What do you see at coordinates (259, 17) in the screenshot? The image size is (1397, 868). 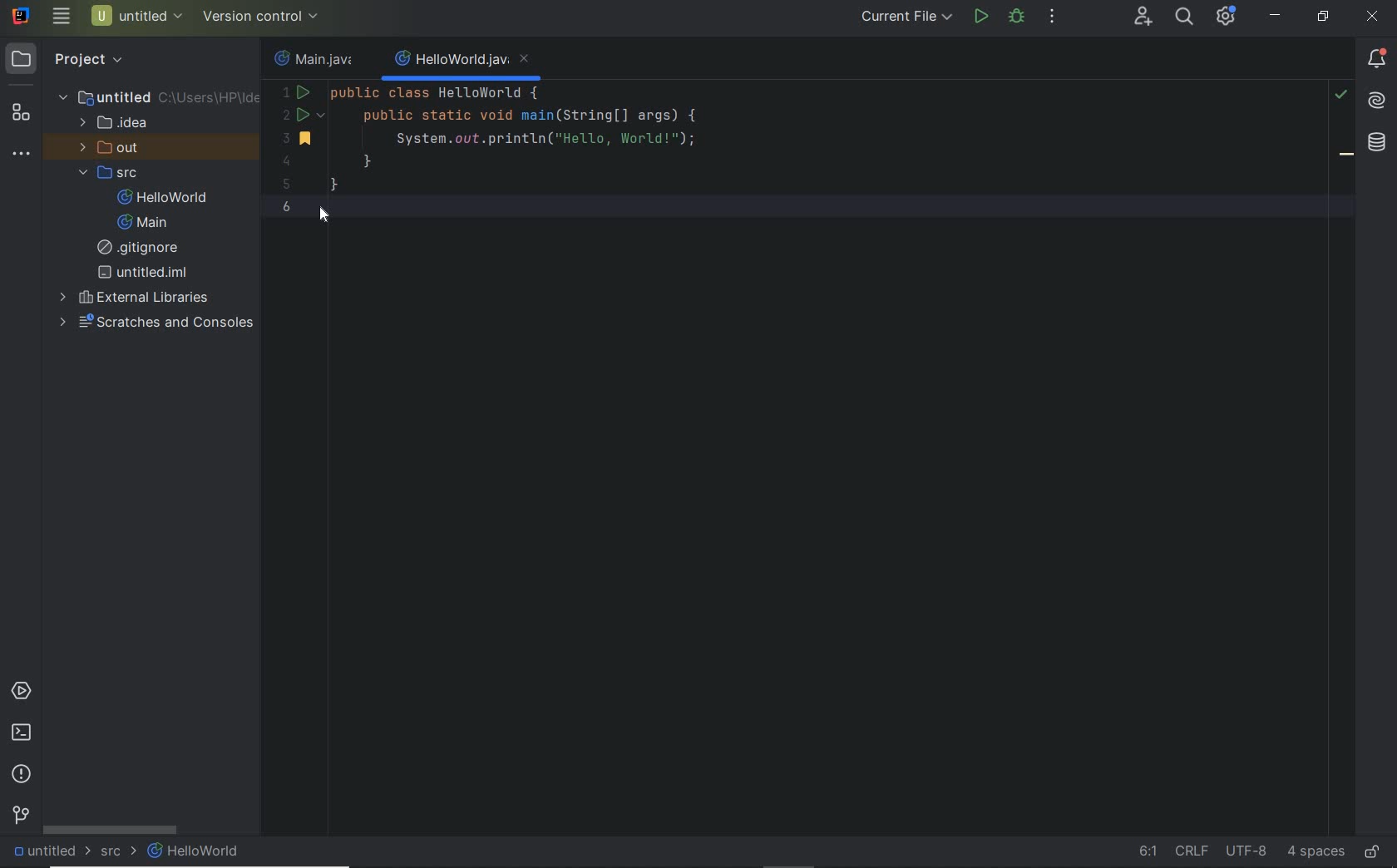 I see `configure version control` at bounding box center [259, 17].